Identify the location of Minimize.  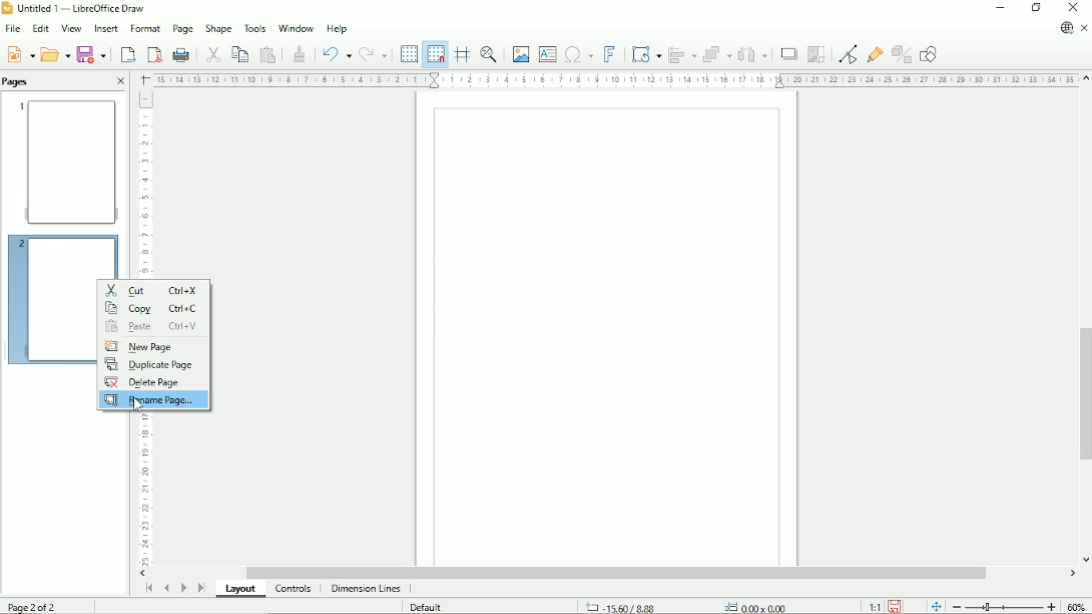
(999, 8).